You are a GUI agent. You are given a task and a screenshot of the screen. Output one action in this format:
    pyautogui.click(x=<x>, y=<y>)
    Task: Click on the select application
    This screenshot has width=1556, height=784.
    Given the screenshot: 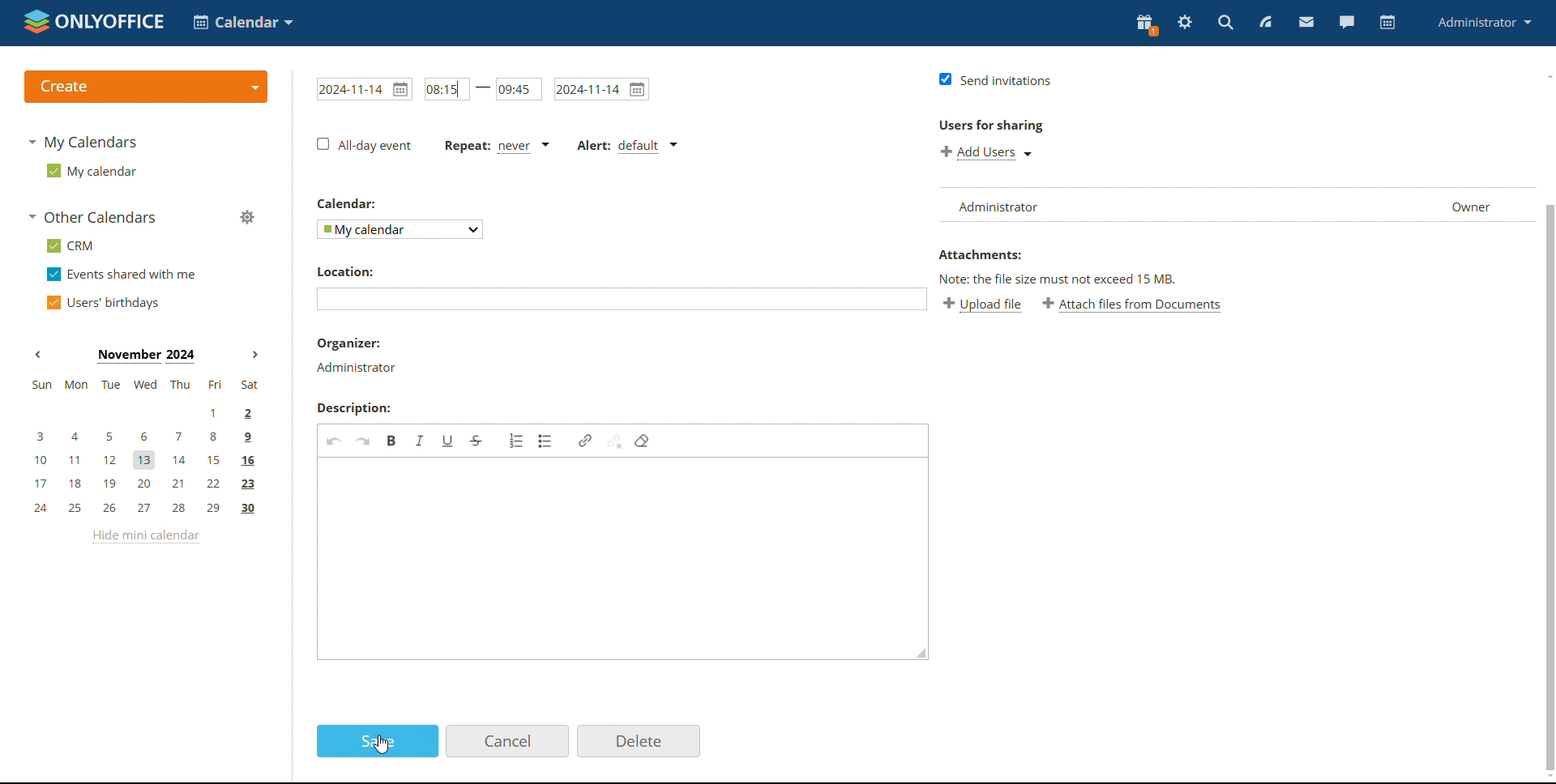 What is the action you would take?
    pyautogui.click(x=245, y=22)
    